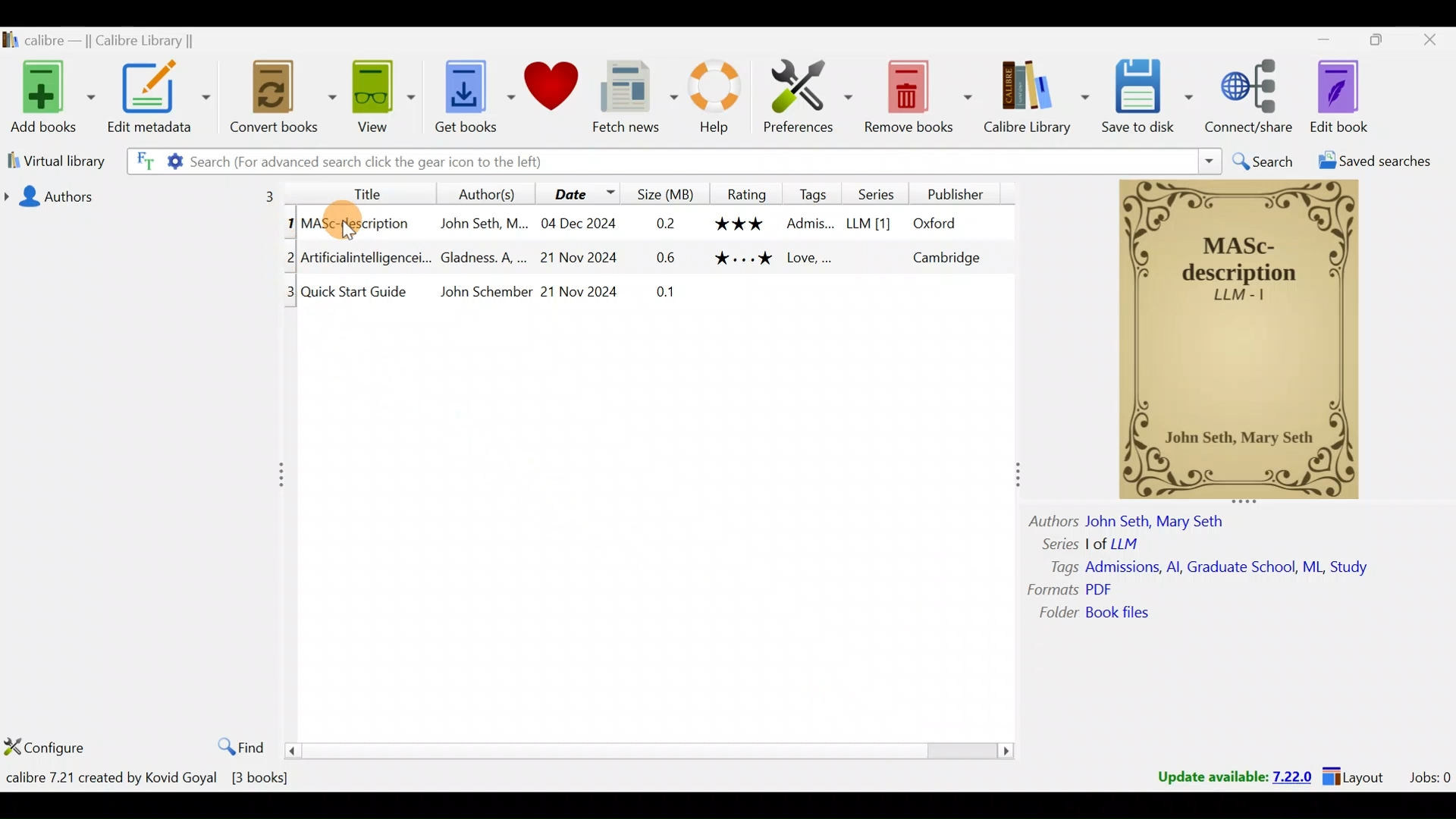 The image size is (1456, 819). What do you see at coordinates (949, 257) in the screenshot?
I see `` at bounding box center [949, 257].